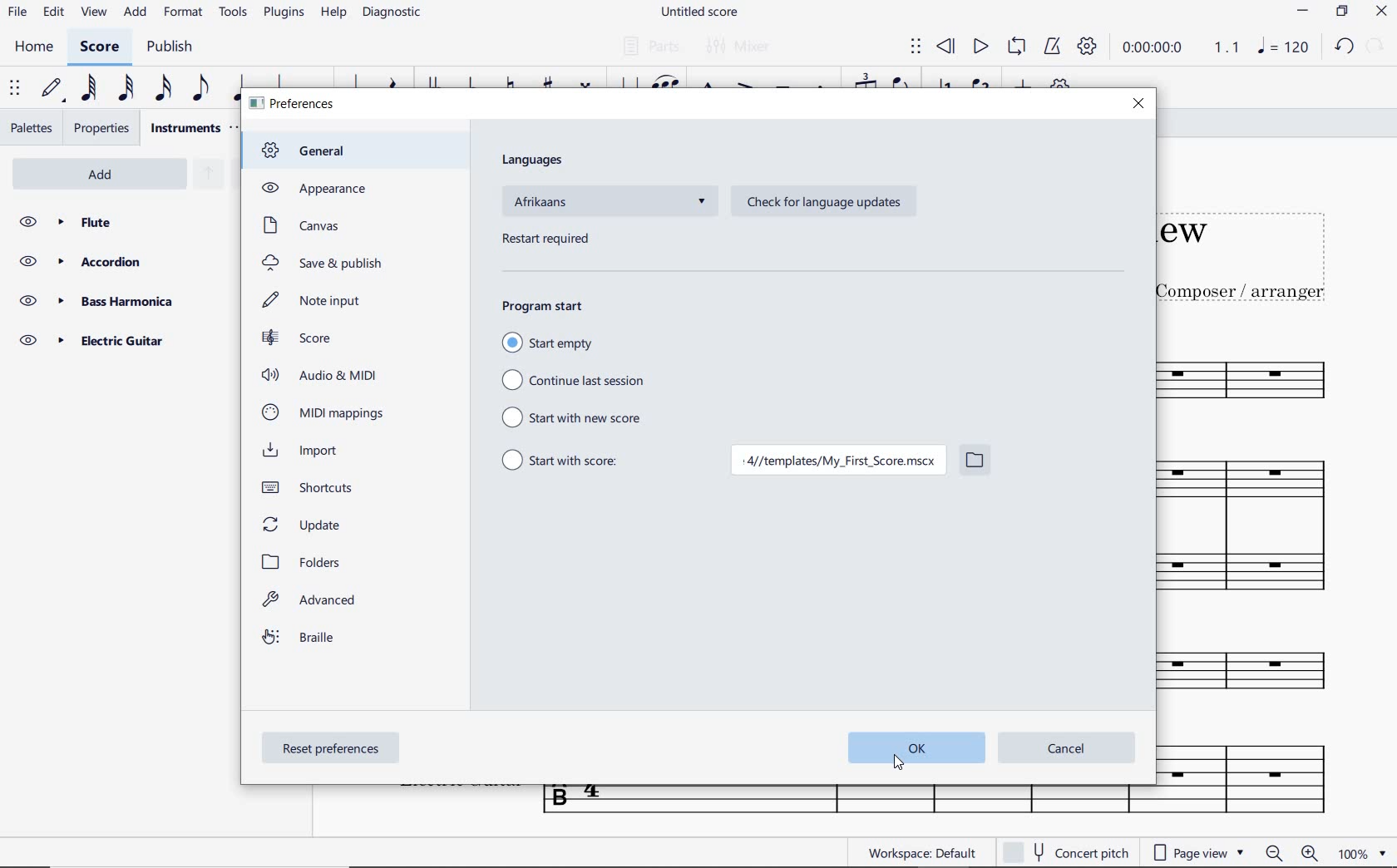 The width and height of the screenshot is (1397, 868). What do you see at coordinates (33, 126) in the screenshot?
I see `palettes` at bounding box center [33, 126].